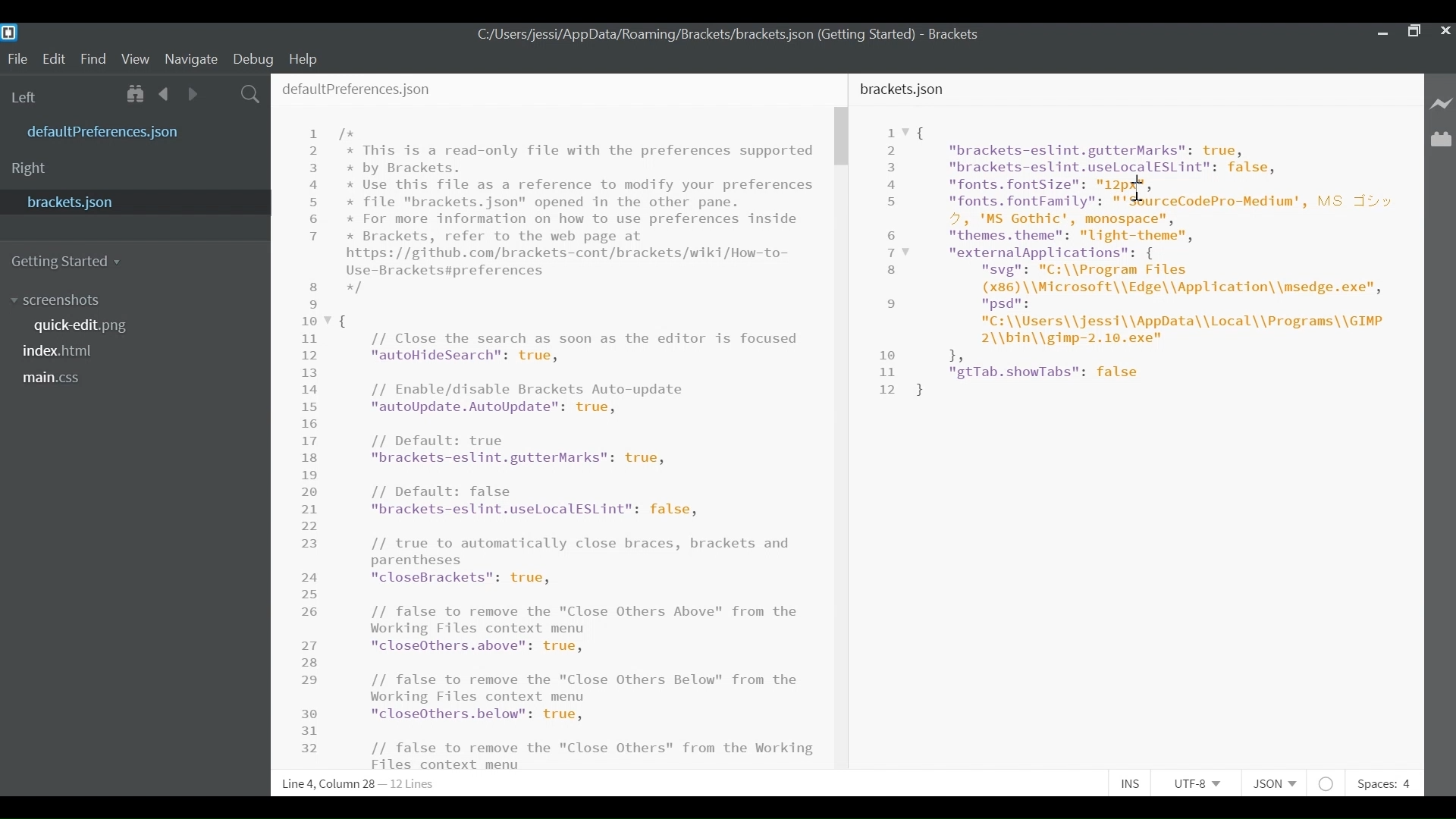 The height and width of the screenshot is (819, 1456). I want to click on screenshots, so click(55, 300).